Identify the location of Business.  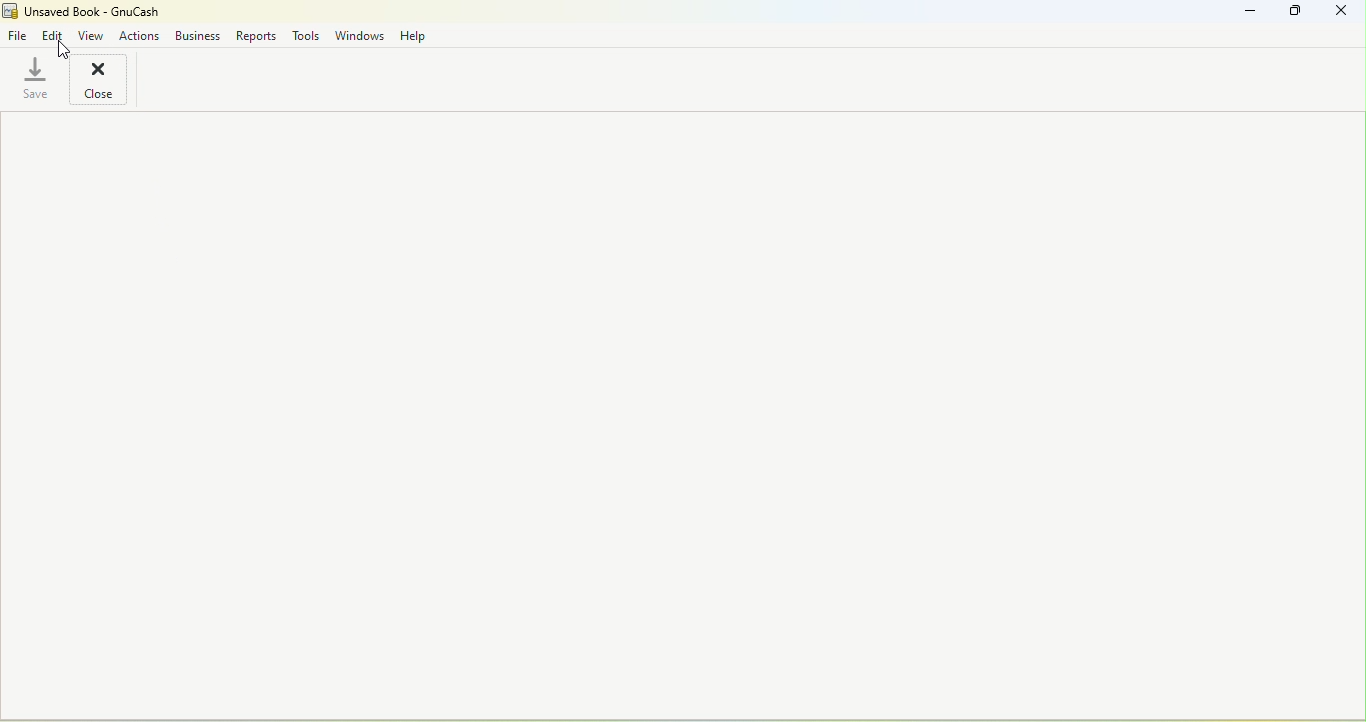
(197, 34).